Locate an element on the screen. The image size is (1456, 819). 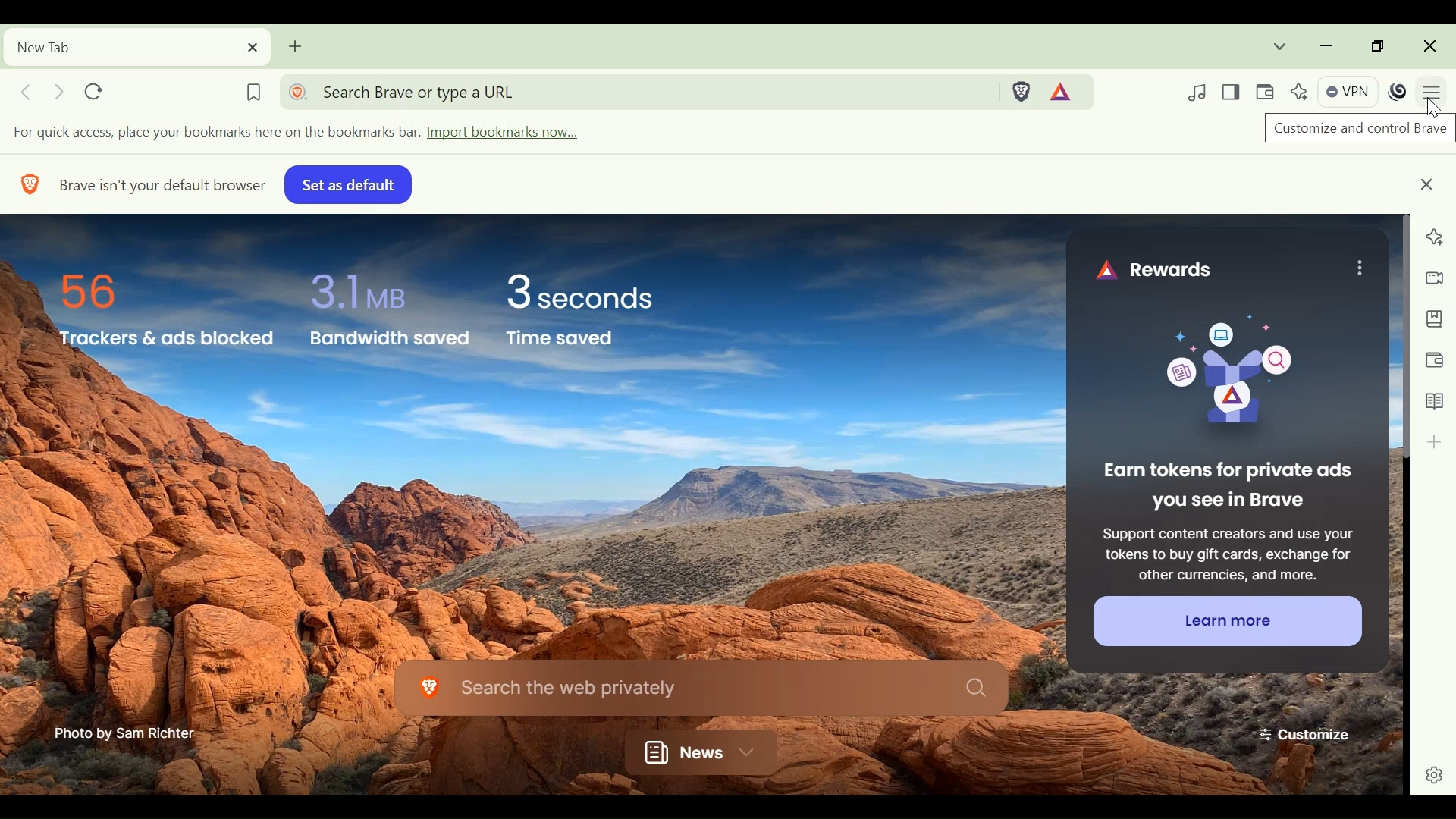
Photo by Sam Richter-— is located at coordinates (127, 732).